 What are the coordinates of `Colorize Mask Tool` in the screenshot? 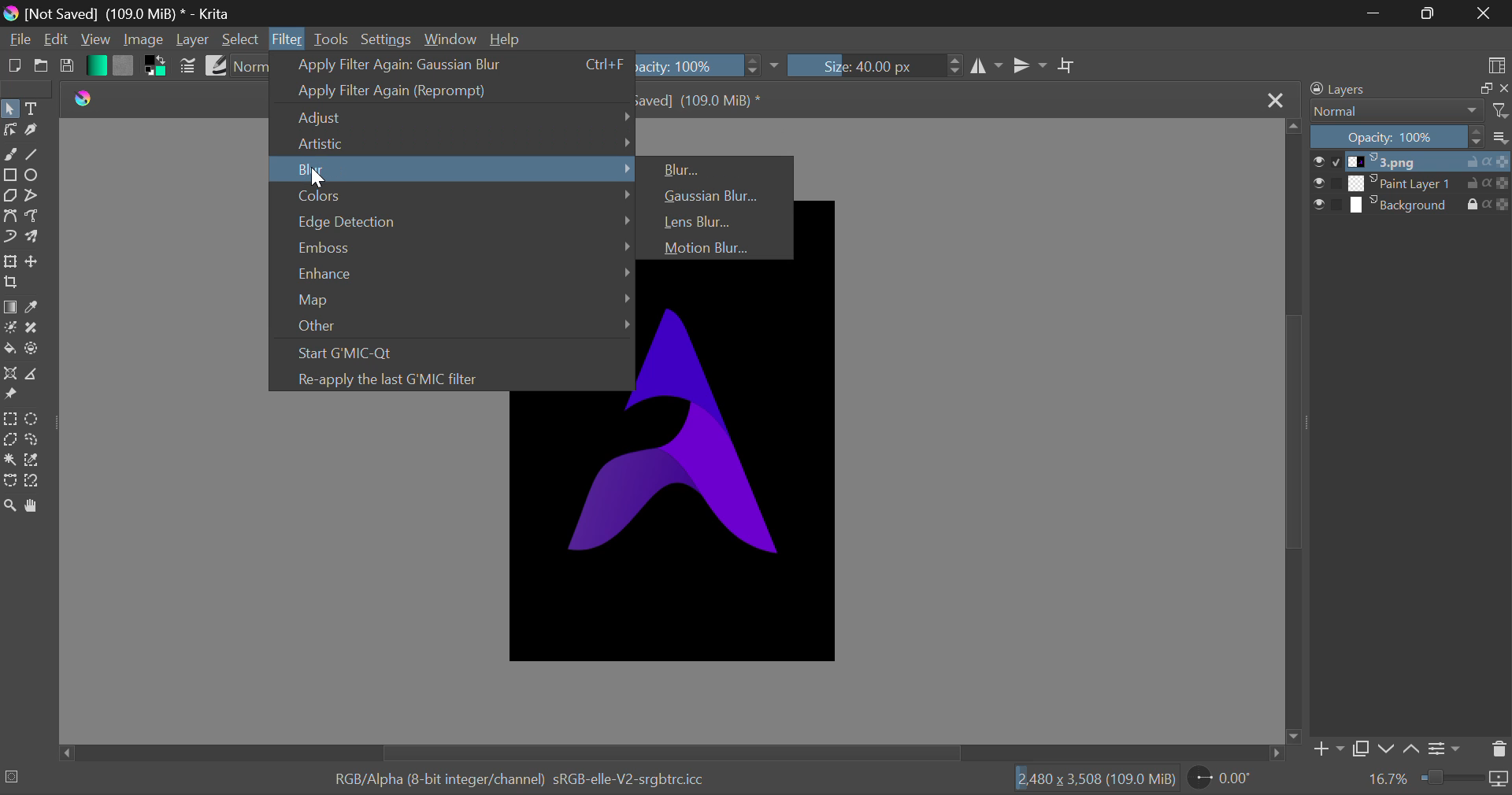 It's located at (9, 327).